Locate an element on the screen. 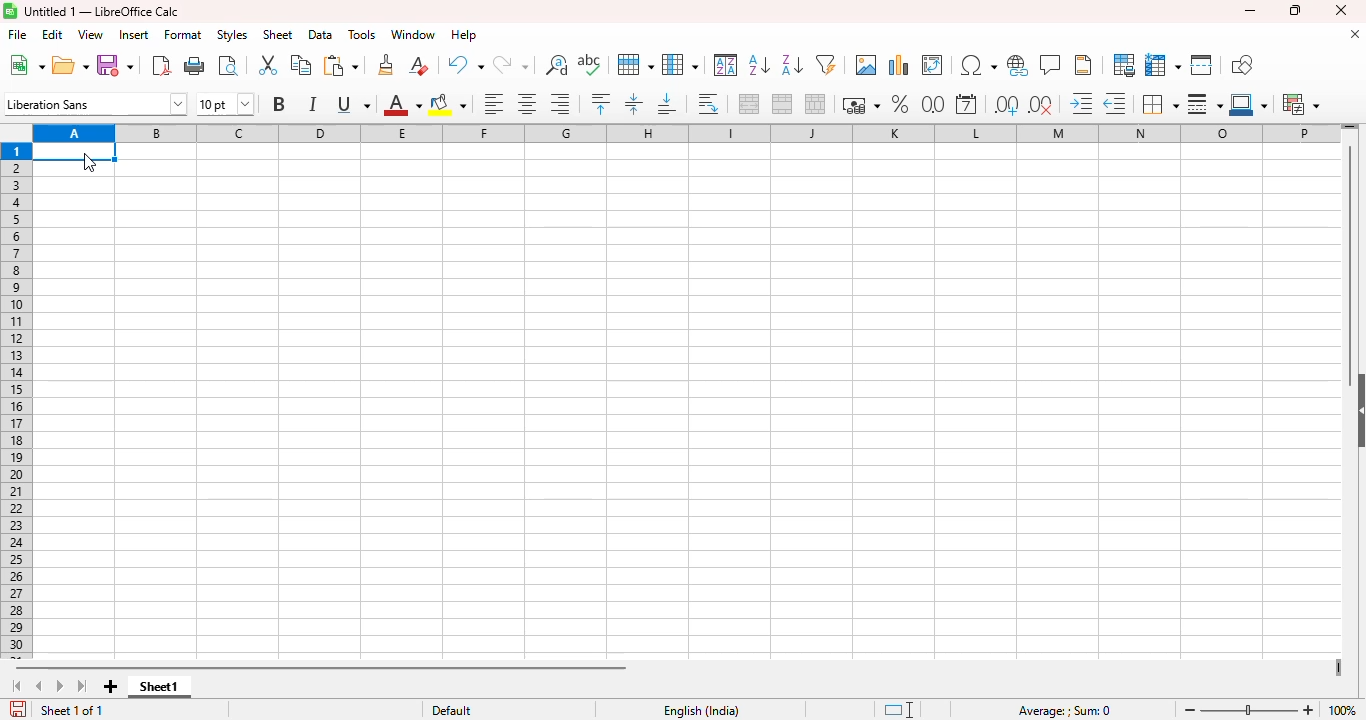 This screenshot has width=1366, height=720. clone formatting is located at coordinates (385, 65).